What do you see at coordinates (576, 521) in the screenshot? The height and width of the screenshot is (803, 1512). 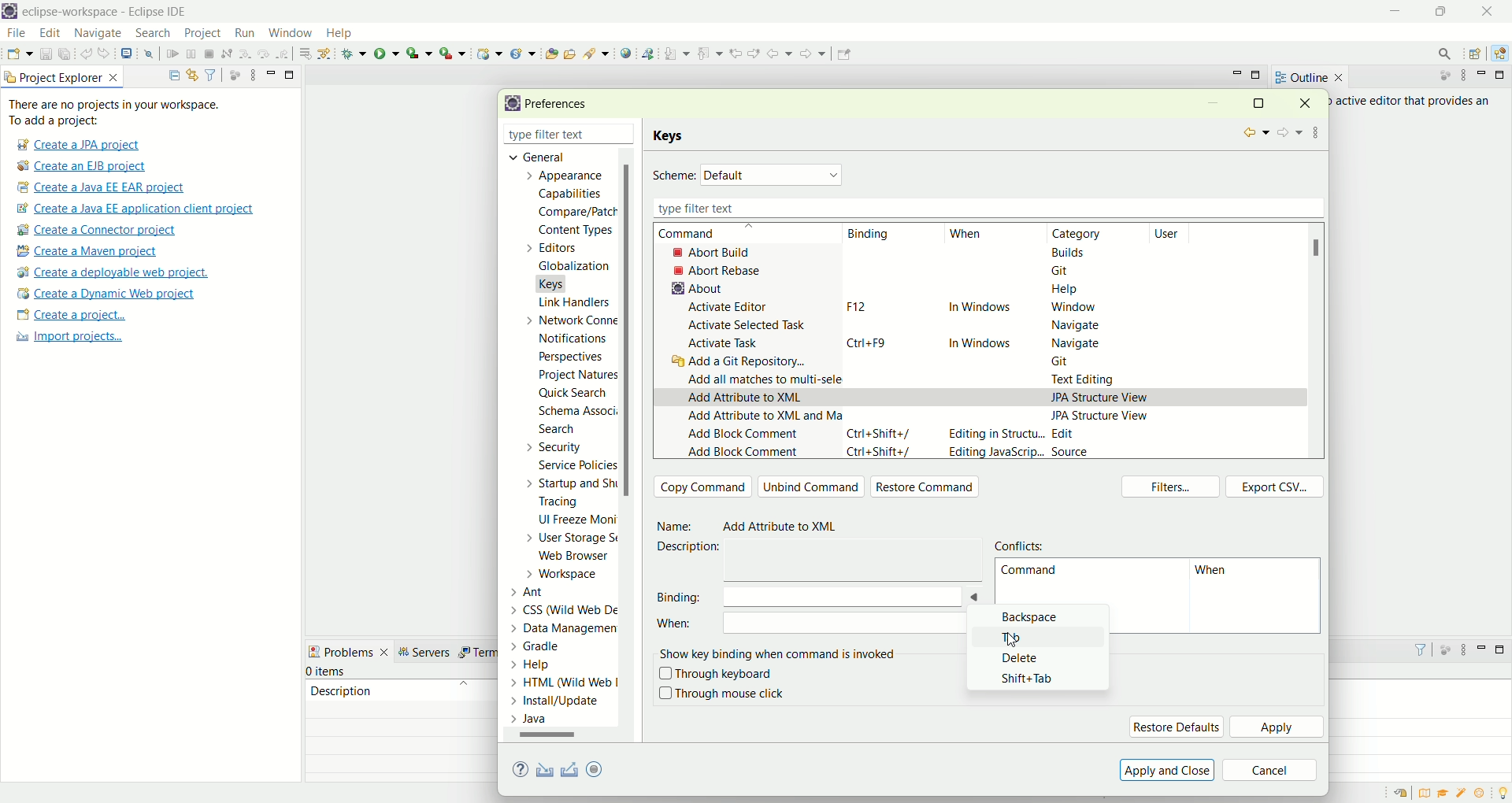 I see `UI freeze monitoring` at bounding box center [576, 521].